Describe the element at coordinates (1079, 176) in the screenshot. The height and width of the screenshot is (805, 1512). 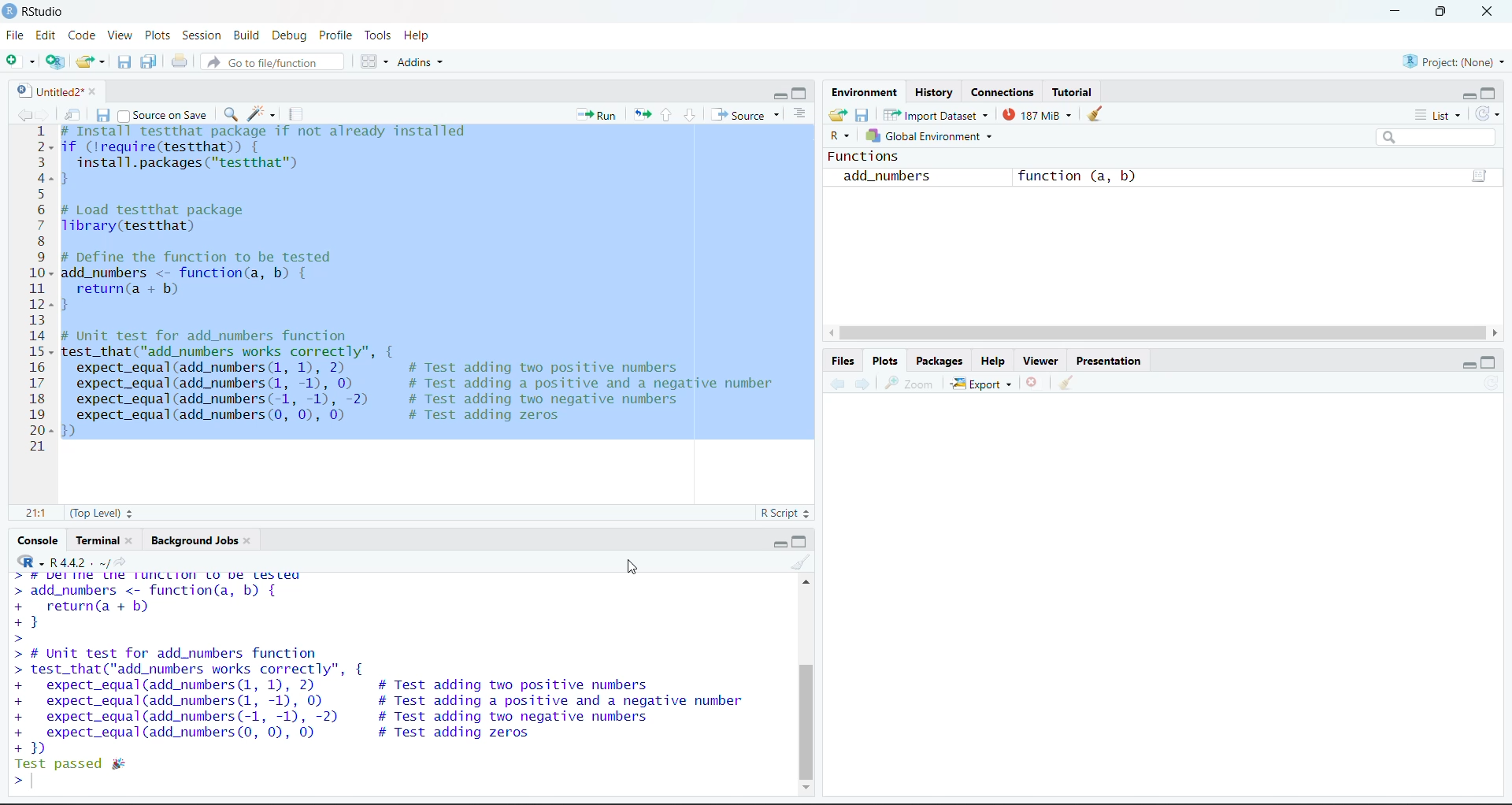
I see `function (a, b)` at that location.